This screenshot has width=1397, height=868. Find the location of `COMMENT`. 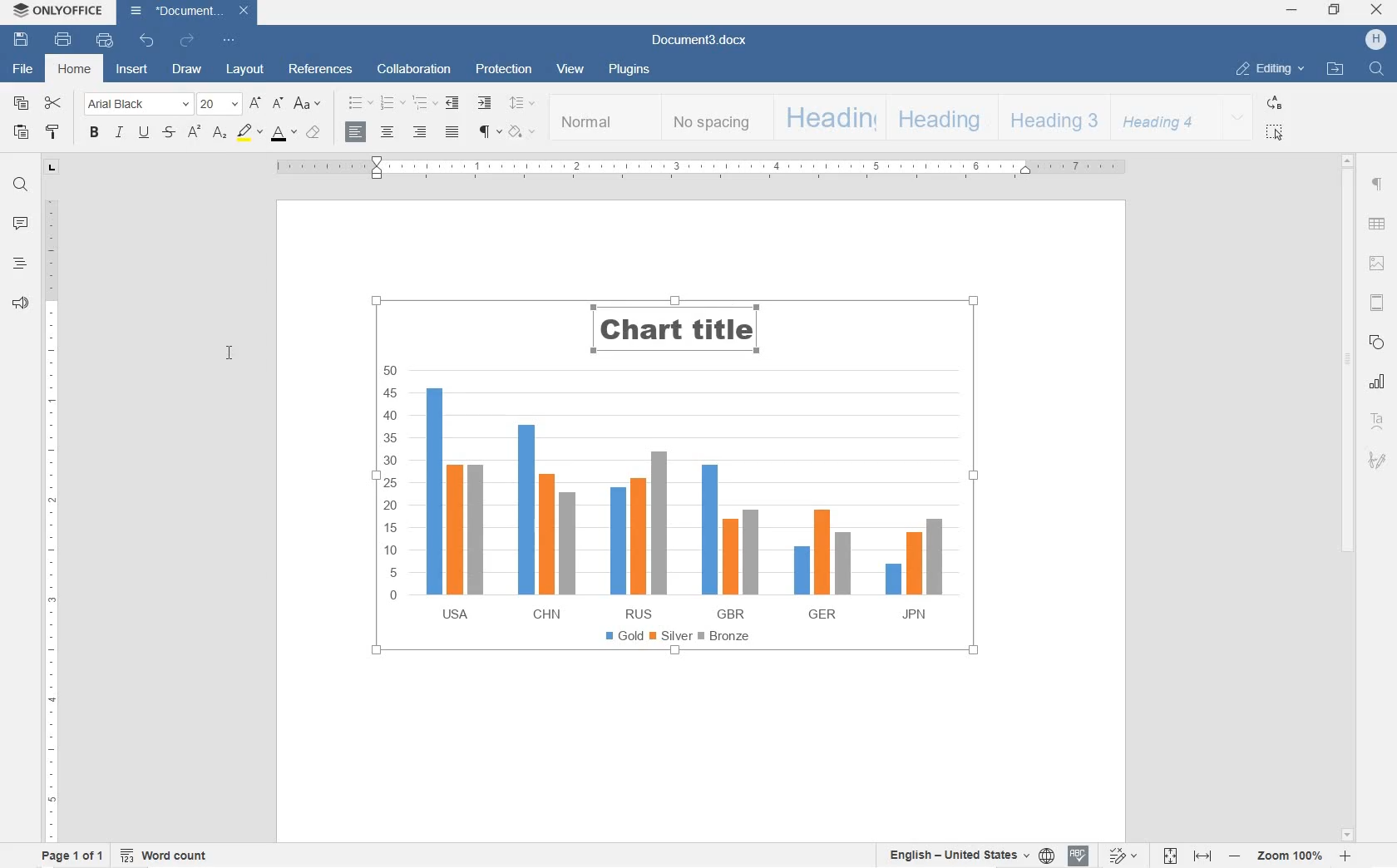

COMMENT is located at coordinates (21, 223).